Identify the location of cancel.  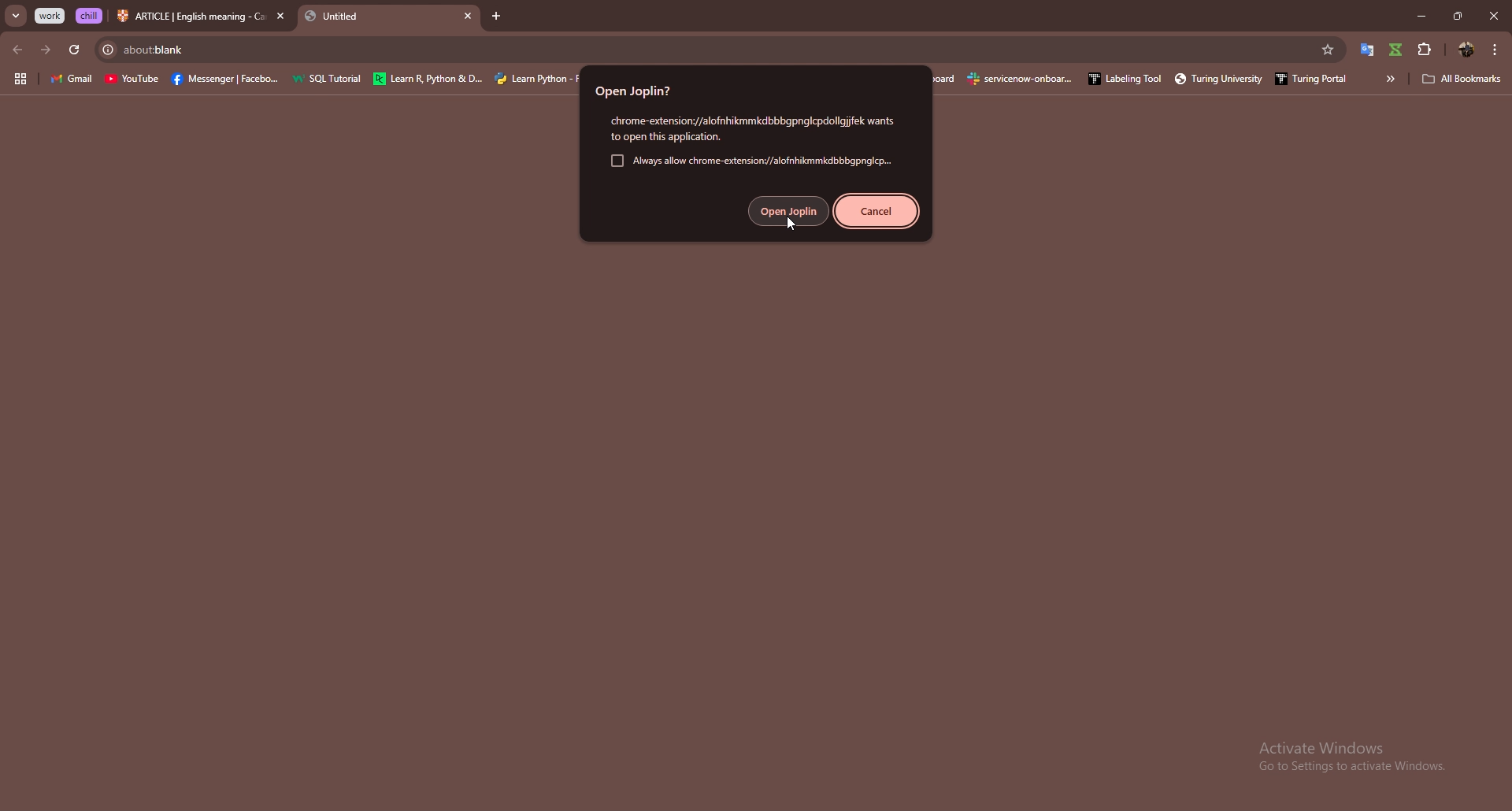
(876, 211).